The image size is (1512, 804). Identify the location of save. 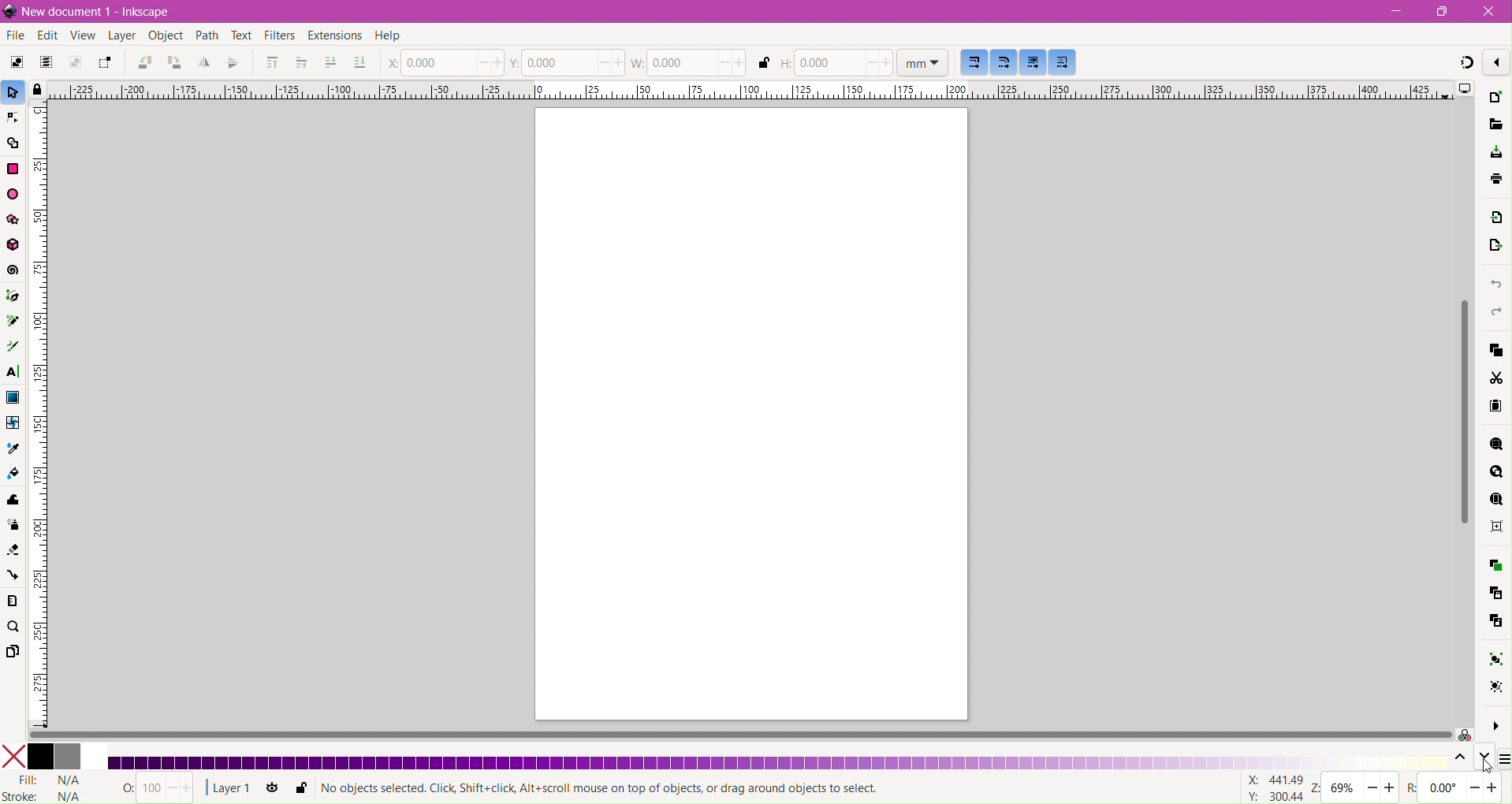
(1495, 179).